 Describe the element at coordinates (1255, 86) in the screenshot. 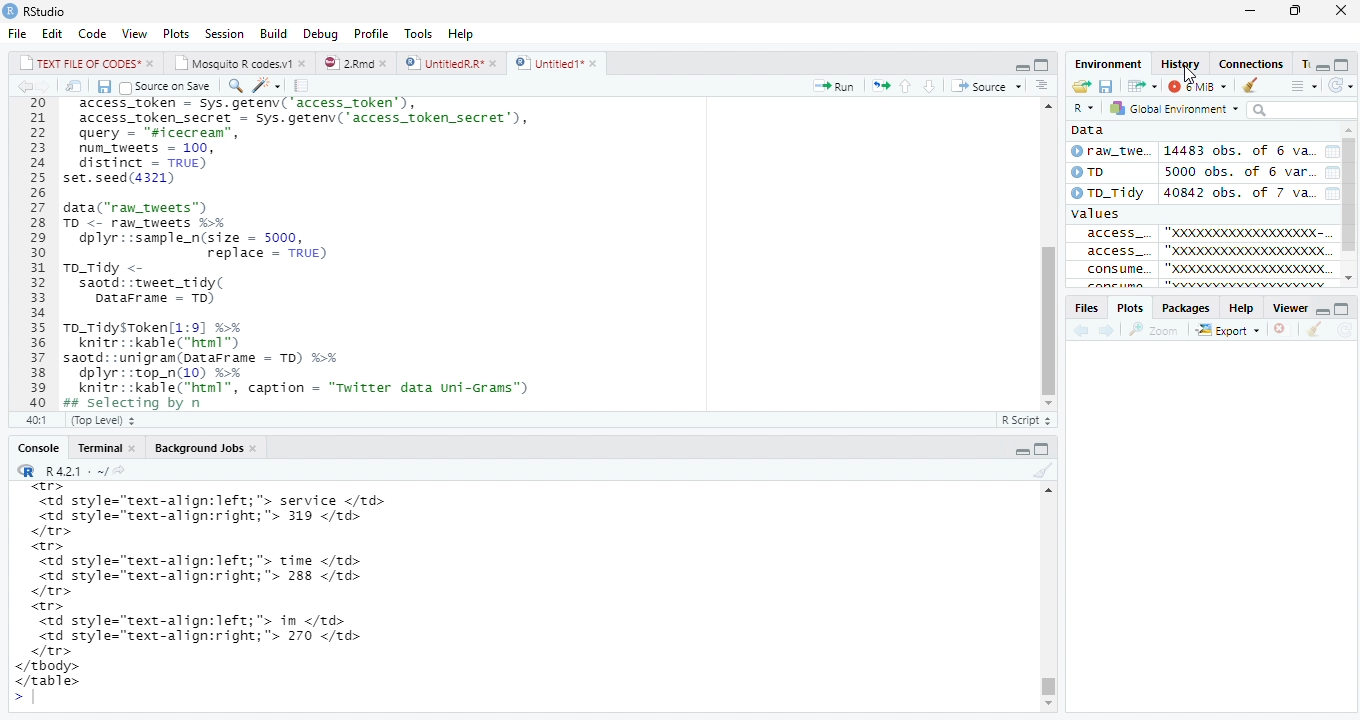

I see `clear window` at that location.